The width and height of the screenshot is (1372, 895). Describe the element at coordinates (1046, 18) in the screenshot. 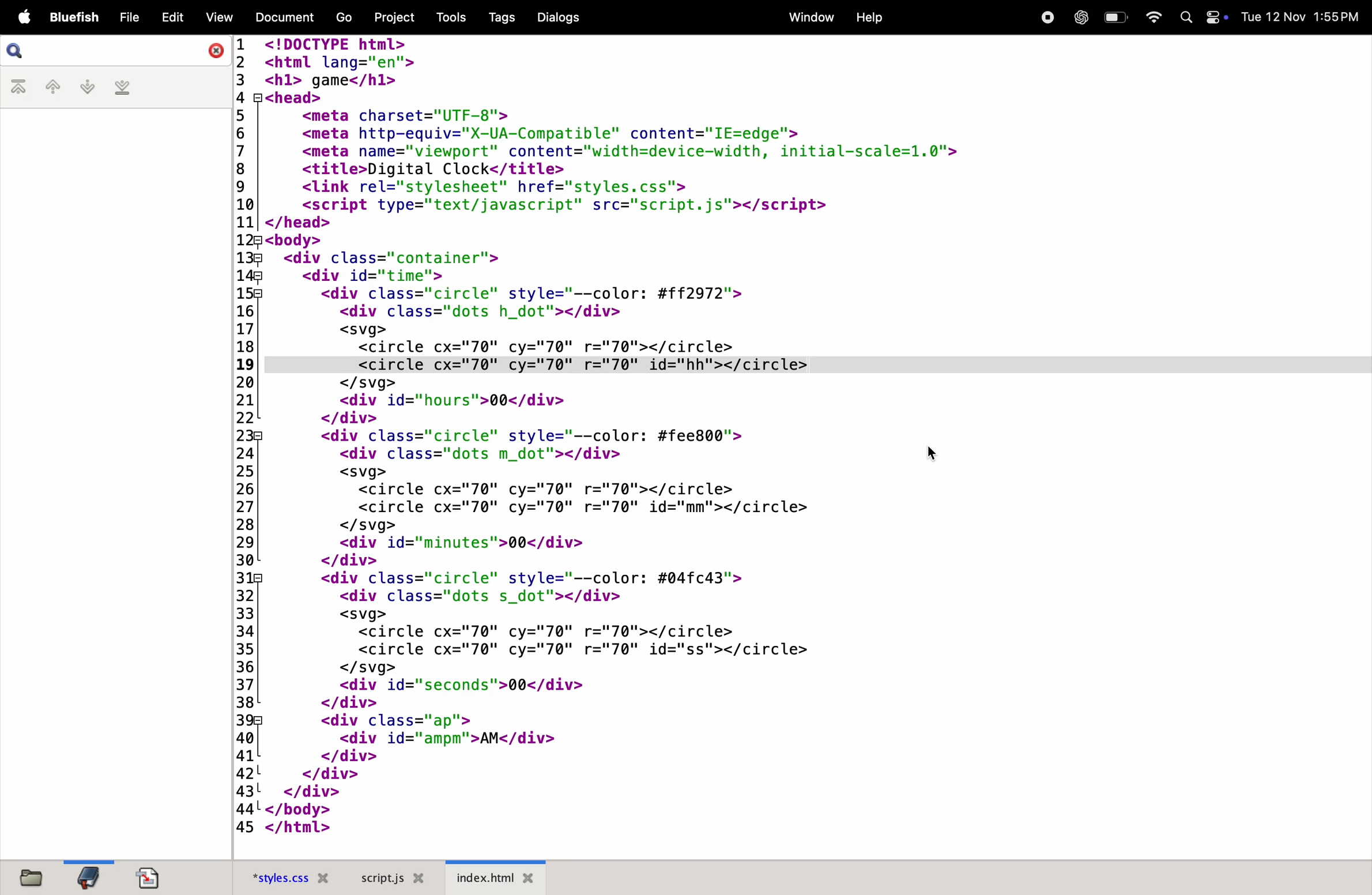

I see `record` at that location.